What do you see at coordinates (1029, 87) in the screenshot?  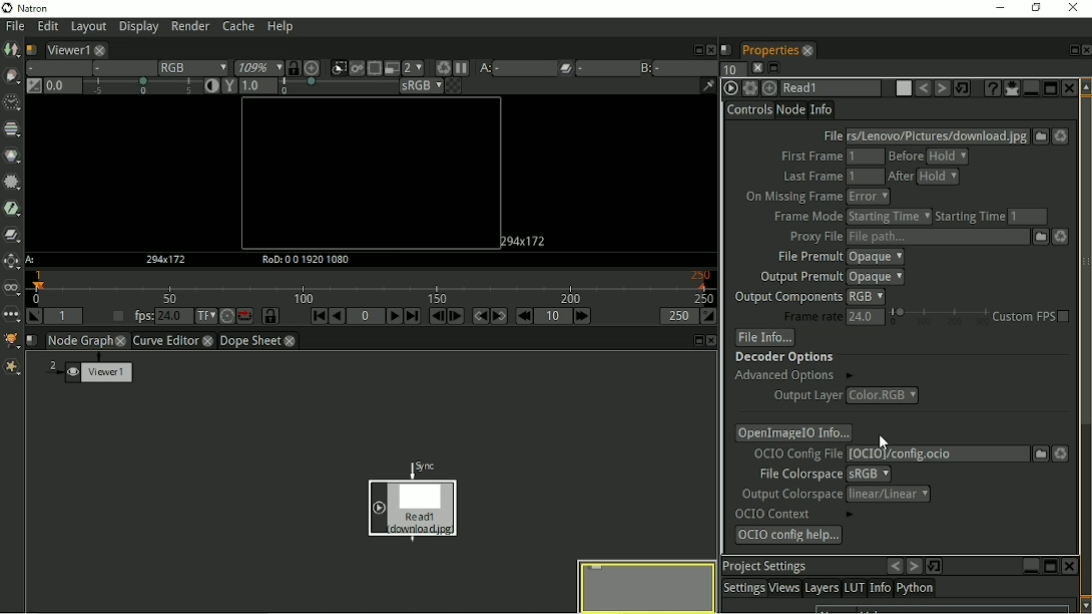 I see `Minimize` at bounding box center [1029, 87].